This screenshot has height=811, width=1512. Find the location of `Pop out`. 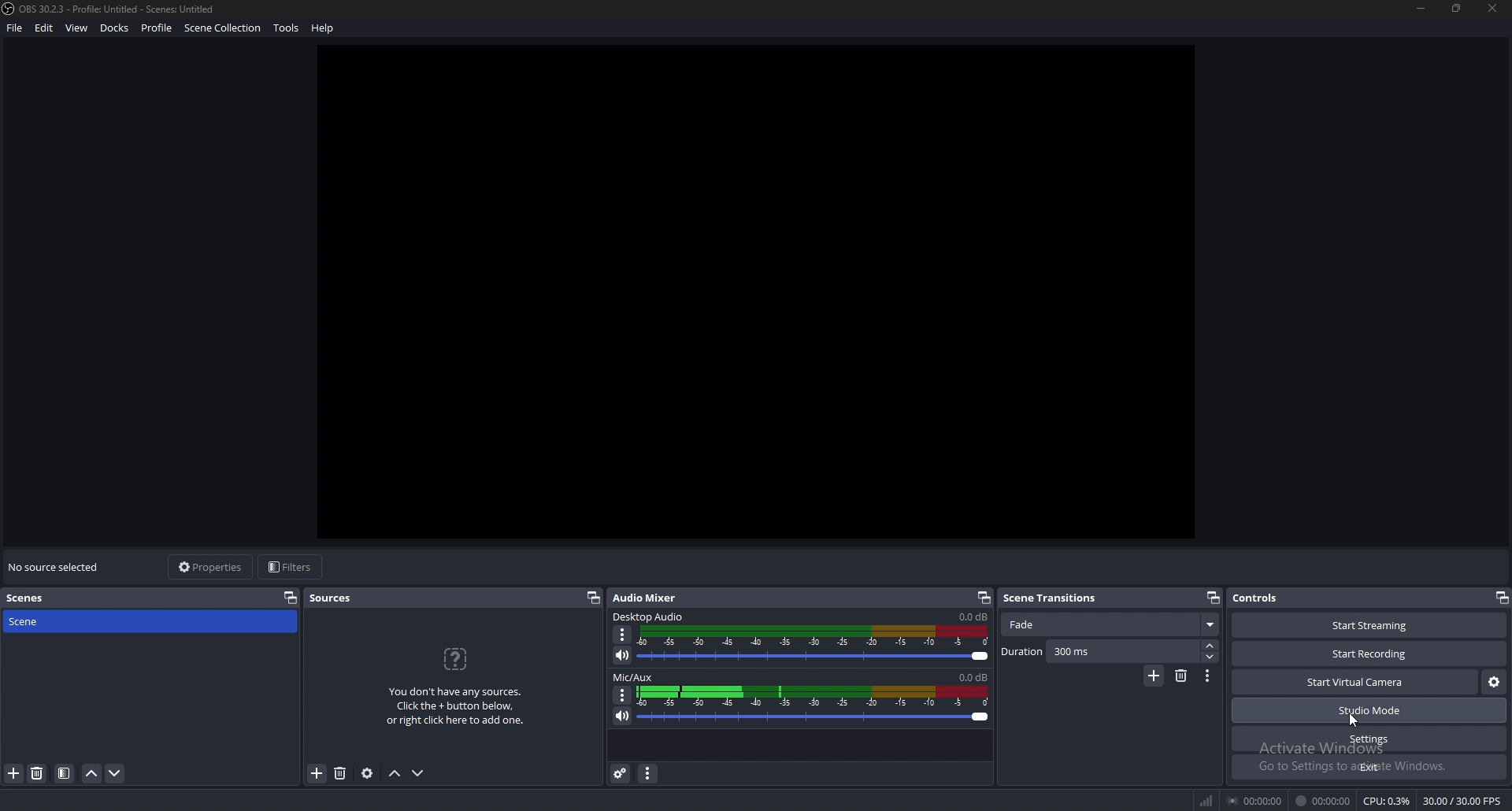

Pop out is located at coordinates (984, 598).